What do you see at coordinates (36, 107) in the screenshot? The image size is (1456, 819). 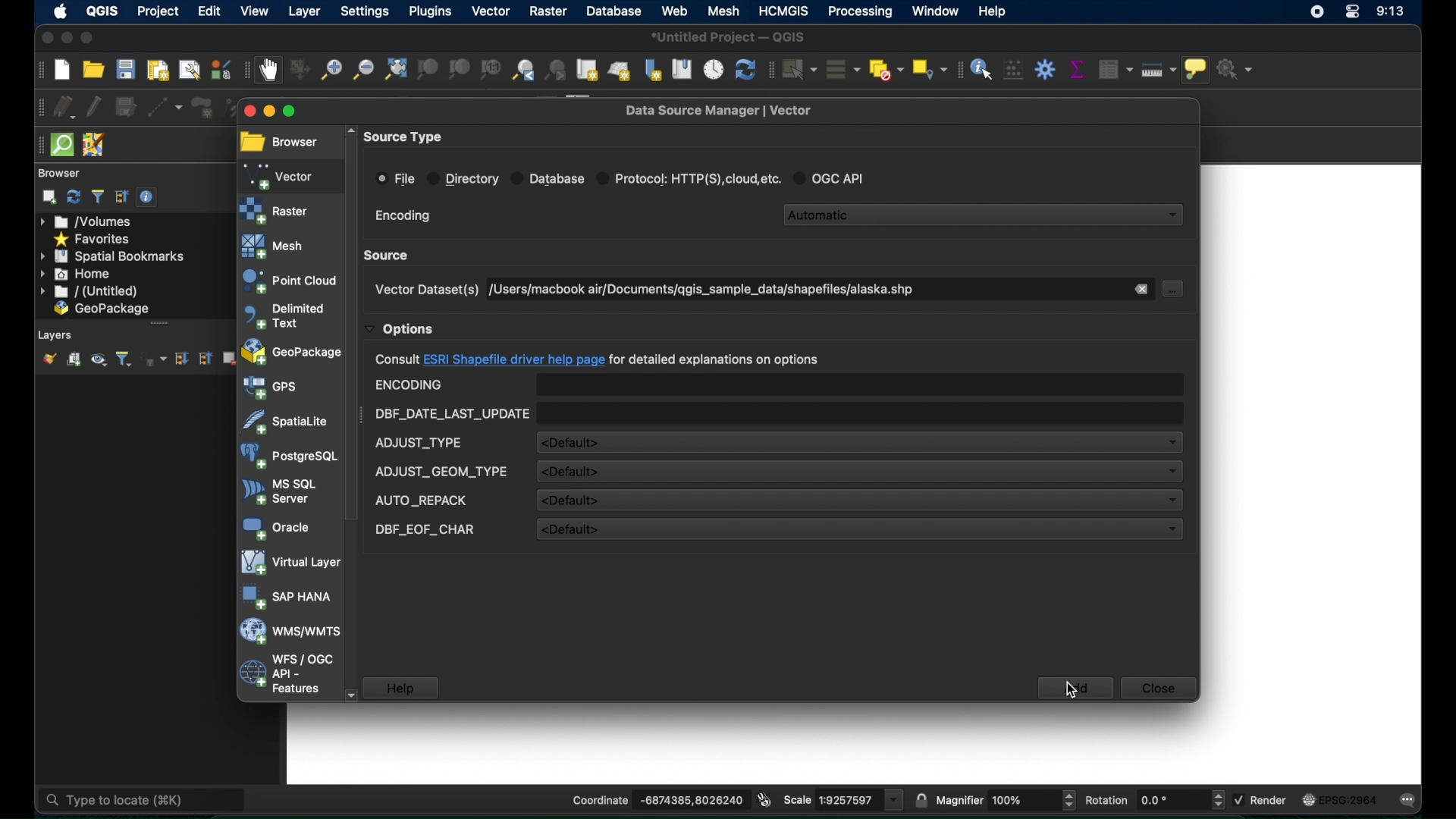 I see `digitizing toolbar` at bounding box center [36, 107].